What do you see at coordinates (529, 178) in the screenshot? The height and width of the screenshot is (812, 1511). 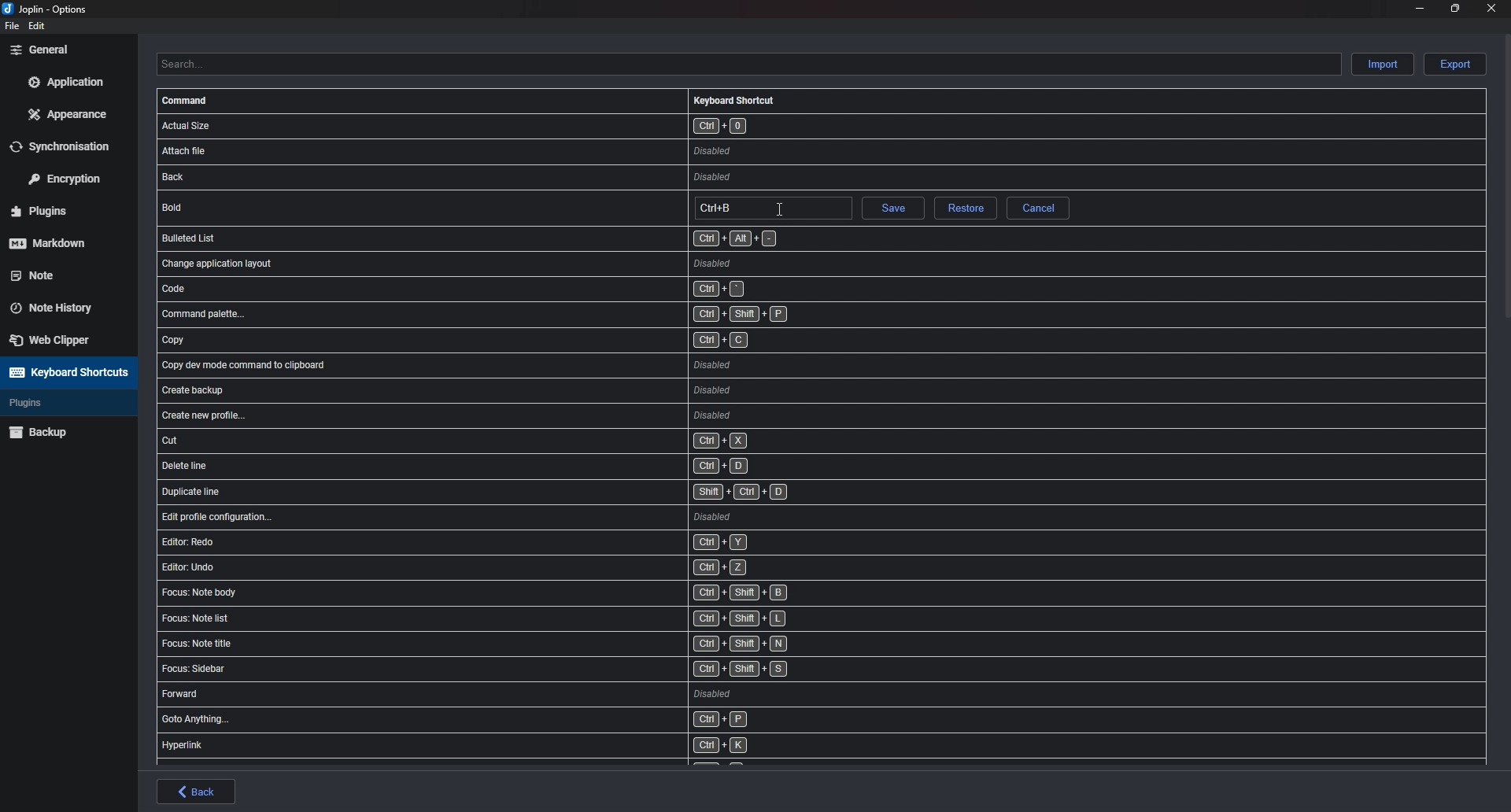 I see `shortcut` at bounding box center [529, 178].